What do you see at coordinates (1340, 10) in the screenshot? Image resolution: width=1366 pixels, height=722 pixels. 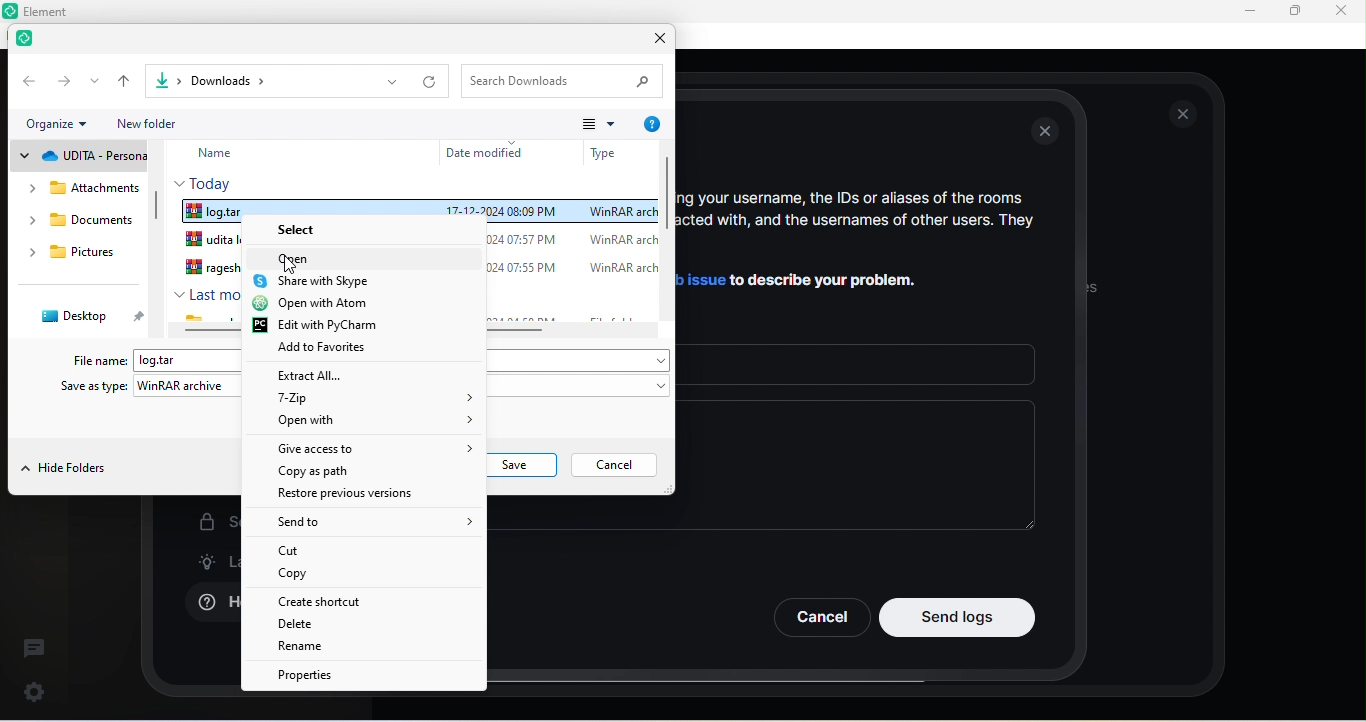 I see `close` at bounding box center [1340, 10].